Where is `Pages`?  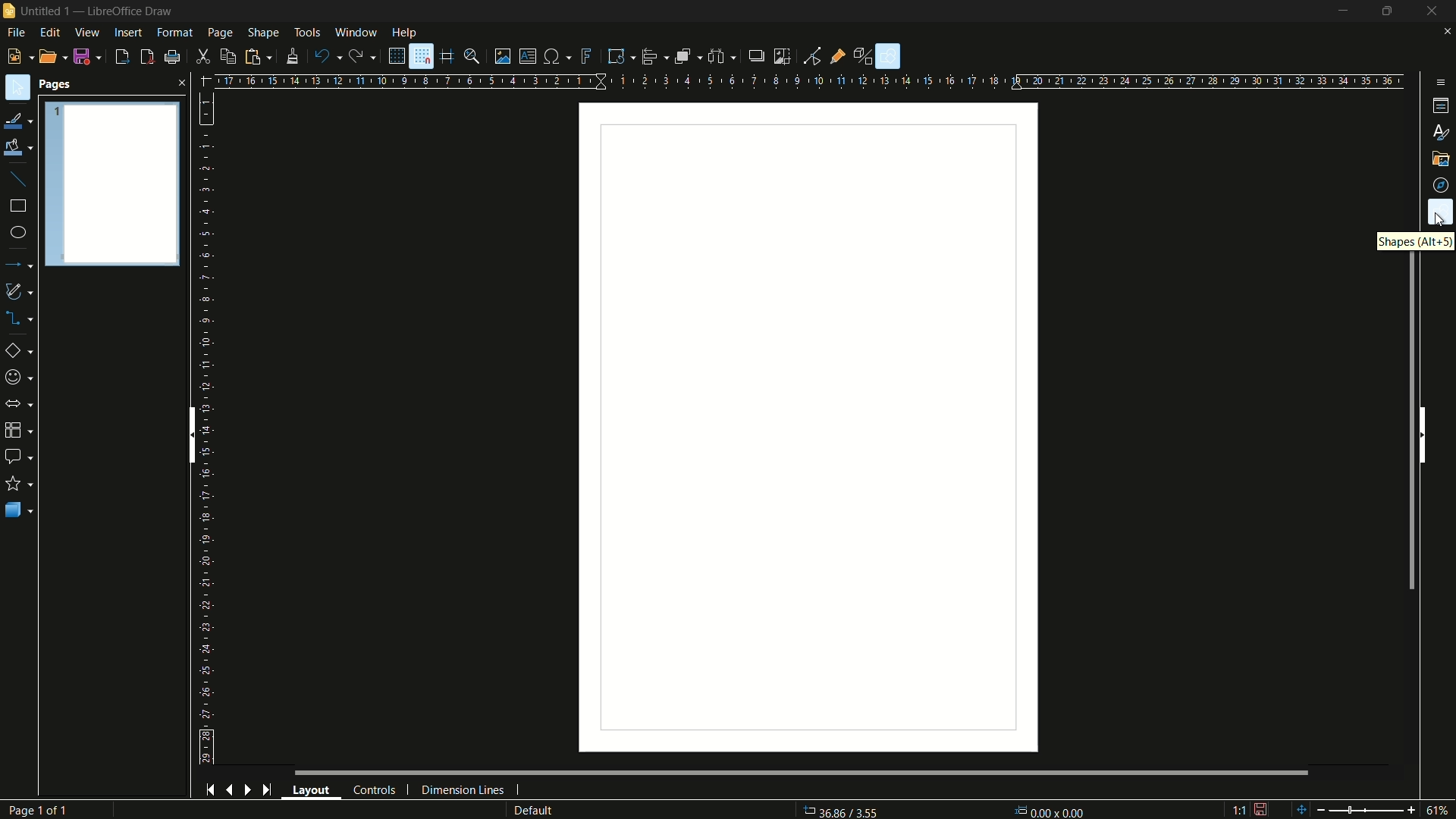
Pages is located at coordinates (112, 182).